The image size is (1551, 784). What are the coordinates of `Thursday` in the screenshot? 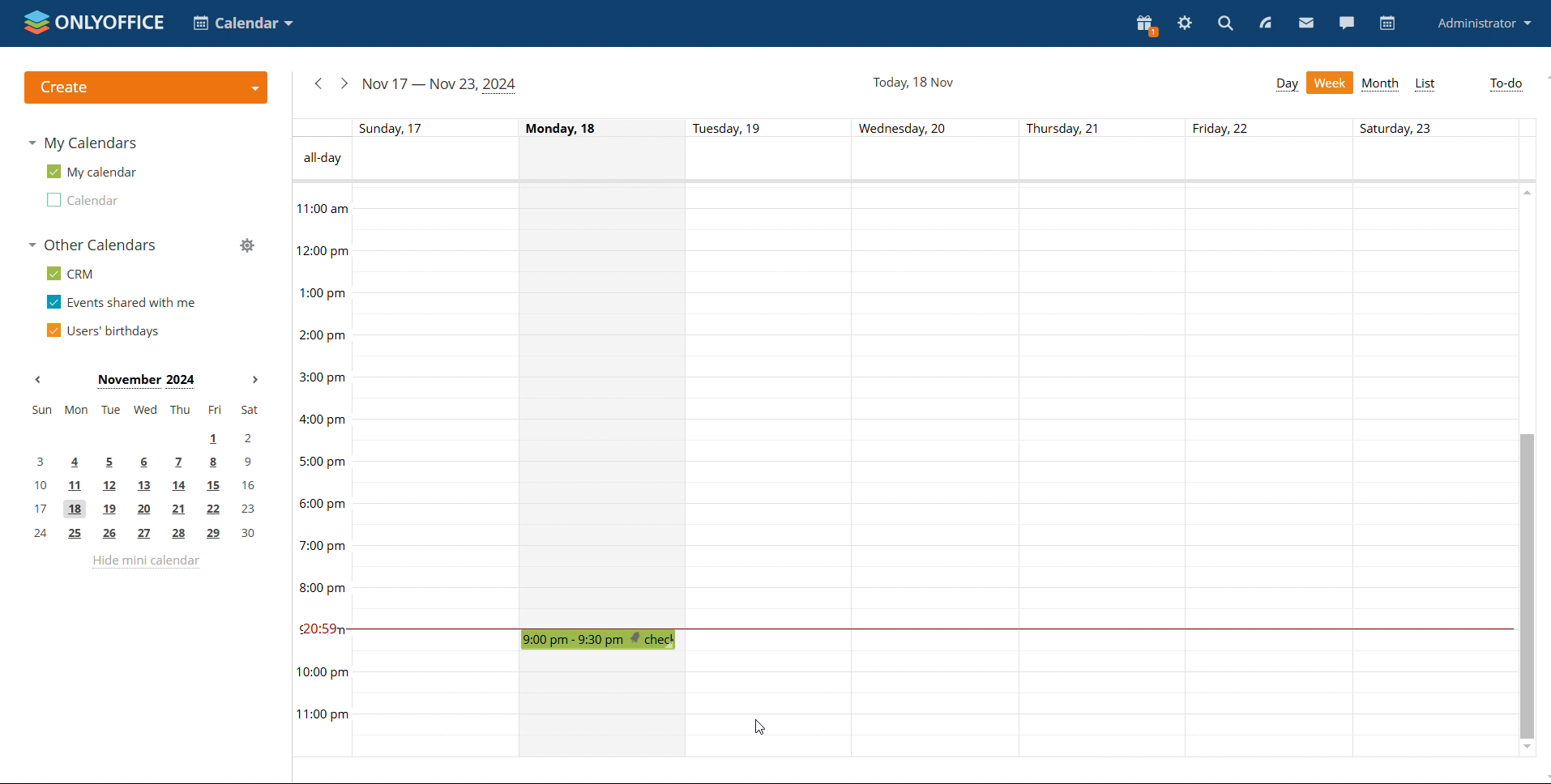 It's located at (1104, 471).